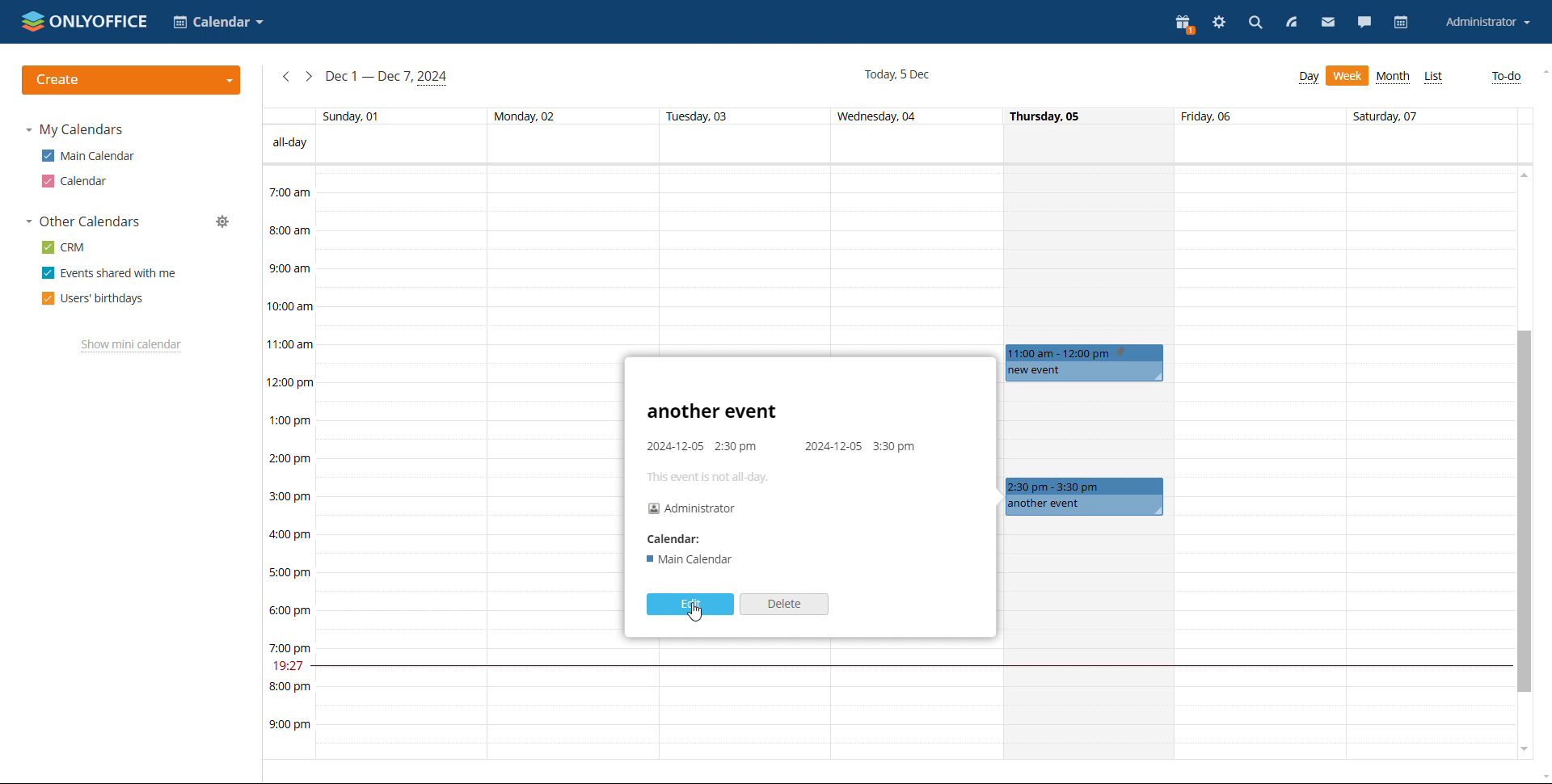 The image size is (1552, 784). What do you see at coordinates (1523, 175) in the screenshot?
I see `scroll up` at bounding box center [1523, 175].